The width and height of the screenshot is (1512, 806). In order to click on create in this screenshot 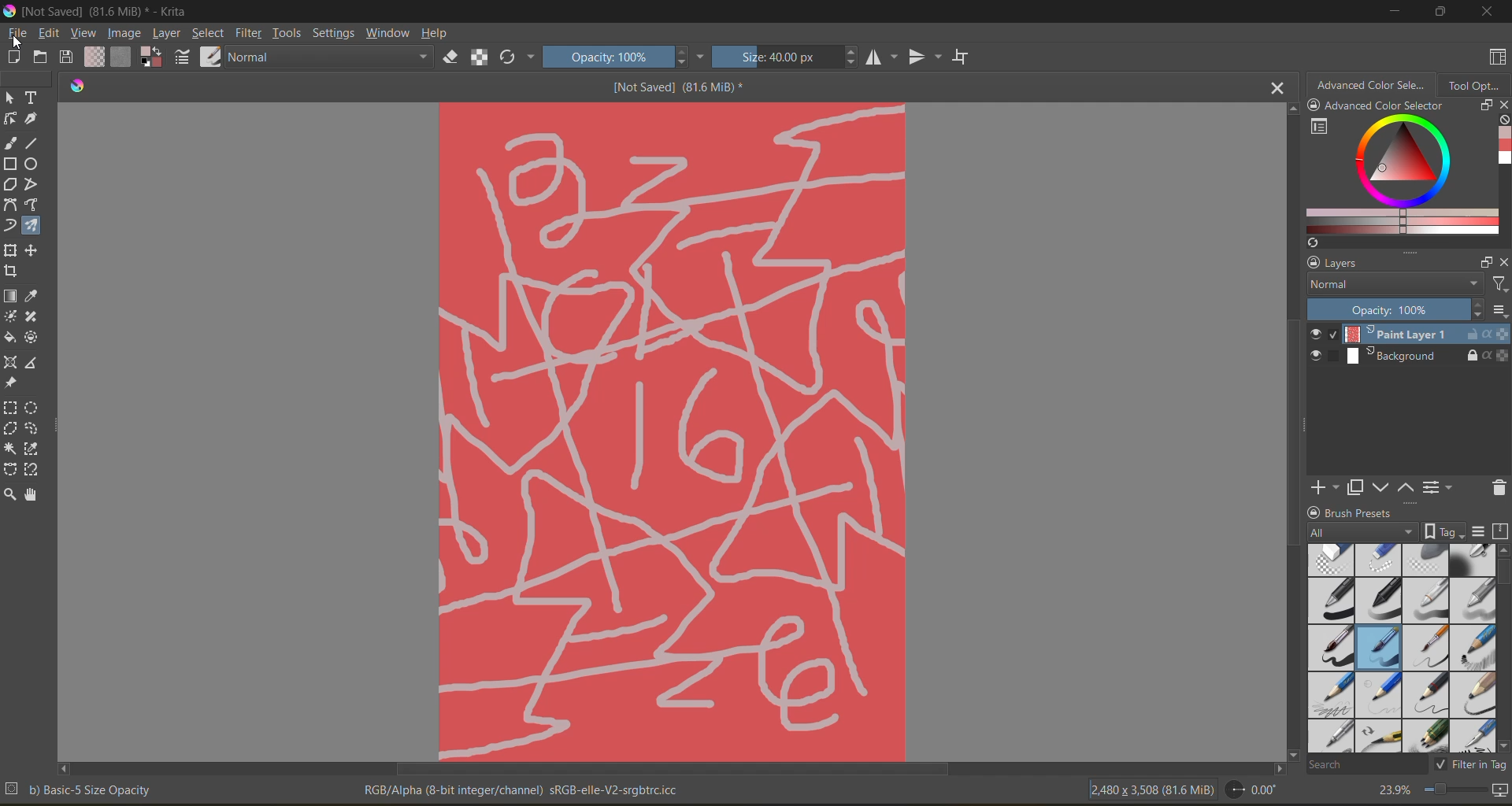, I will do `click(15, 58)`.